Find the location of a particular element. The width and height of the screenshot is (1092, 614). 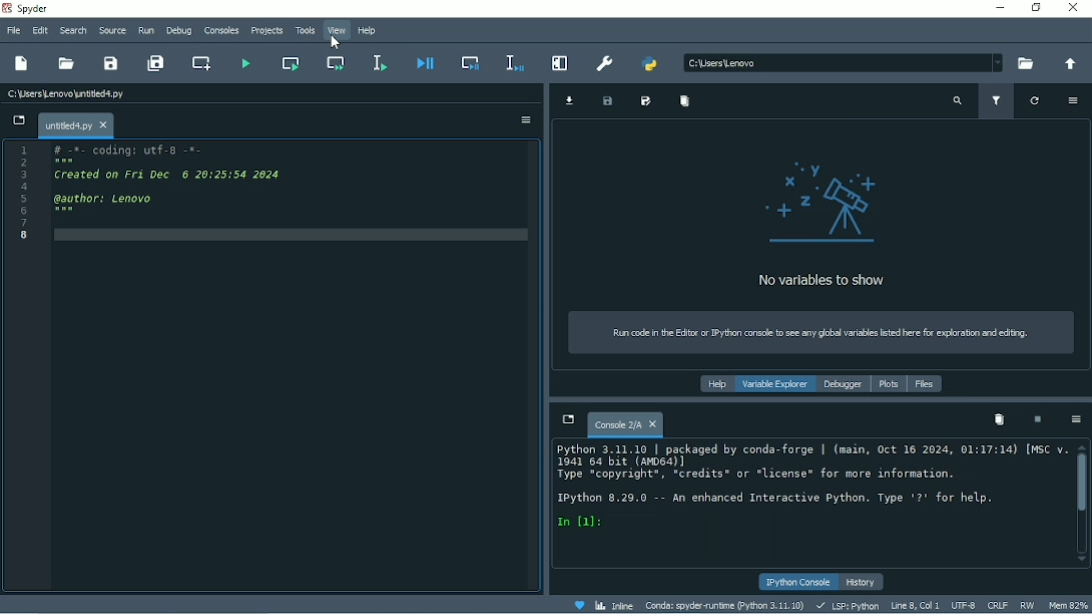

Options is located at coordinates (1073, 101).